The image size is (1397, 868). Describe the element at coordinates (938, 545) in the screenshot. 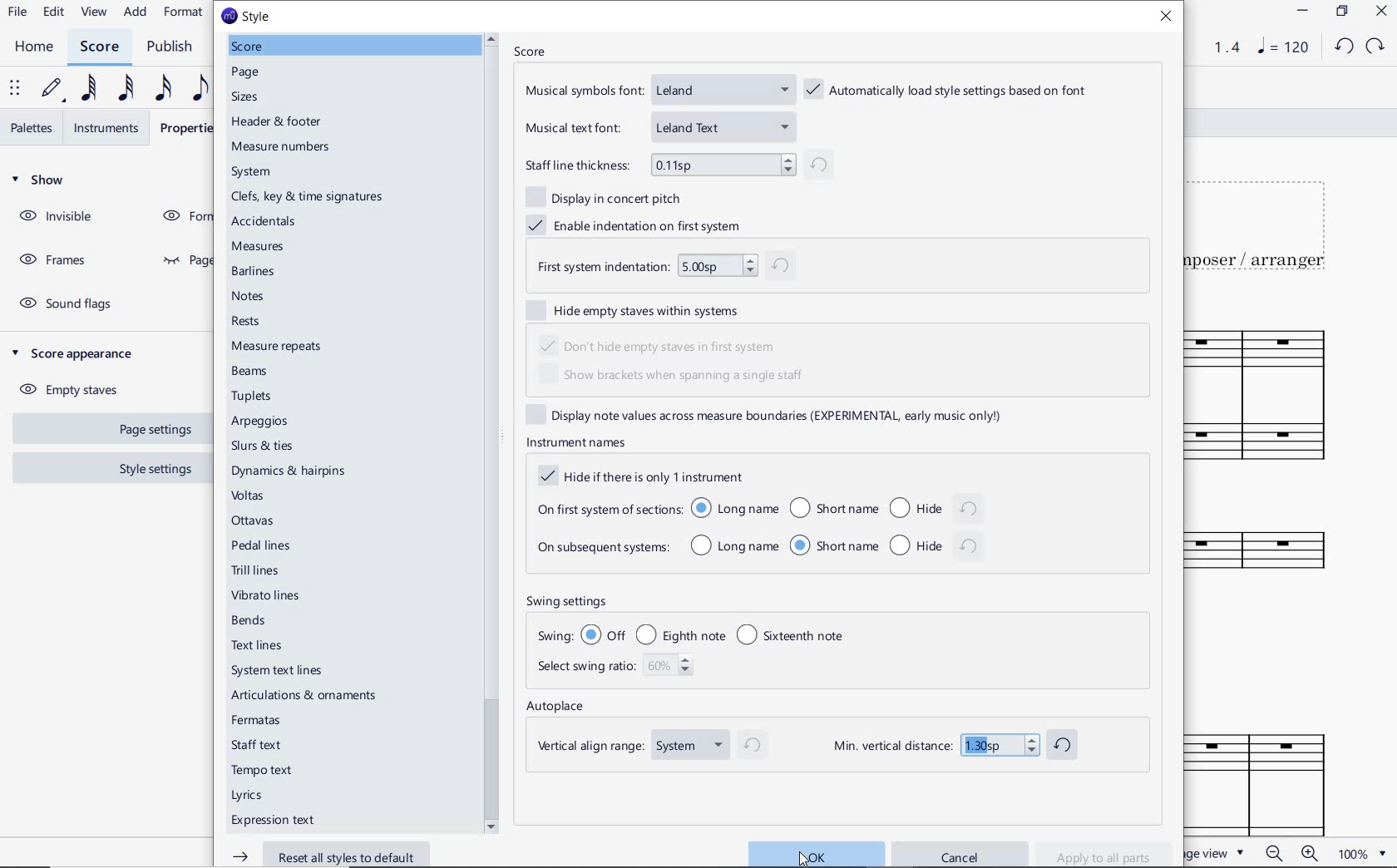

I see `hide` at that location.